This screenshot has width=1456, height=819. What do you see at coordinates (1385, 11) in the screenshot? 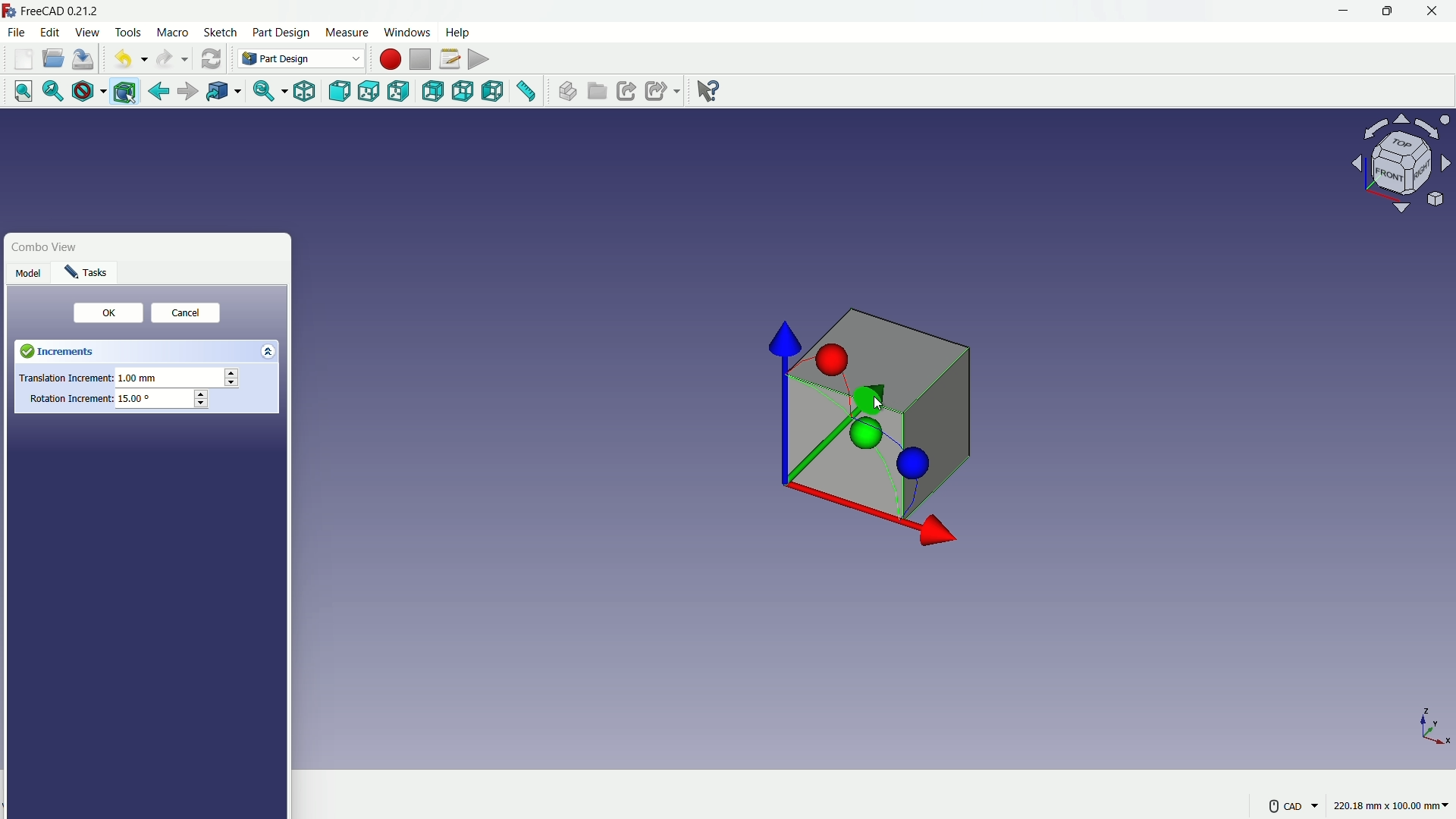
I see `maximize or restore` at bounding box center [1385, 11].